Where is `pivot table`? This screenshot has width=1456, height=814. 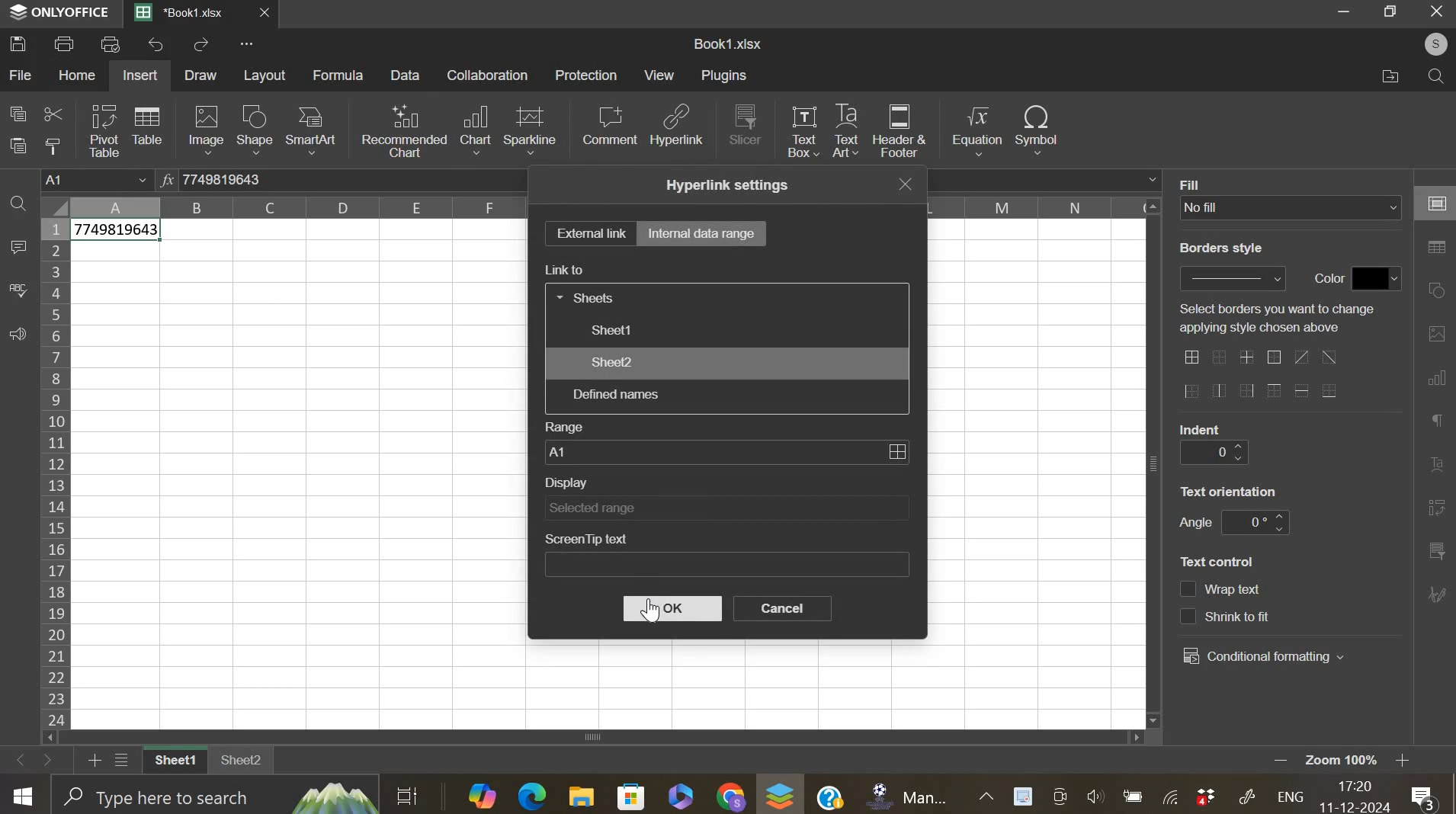 pivot table is located at coordinates (104, 131).